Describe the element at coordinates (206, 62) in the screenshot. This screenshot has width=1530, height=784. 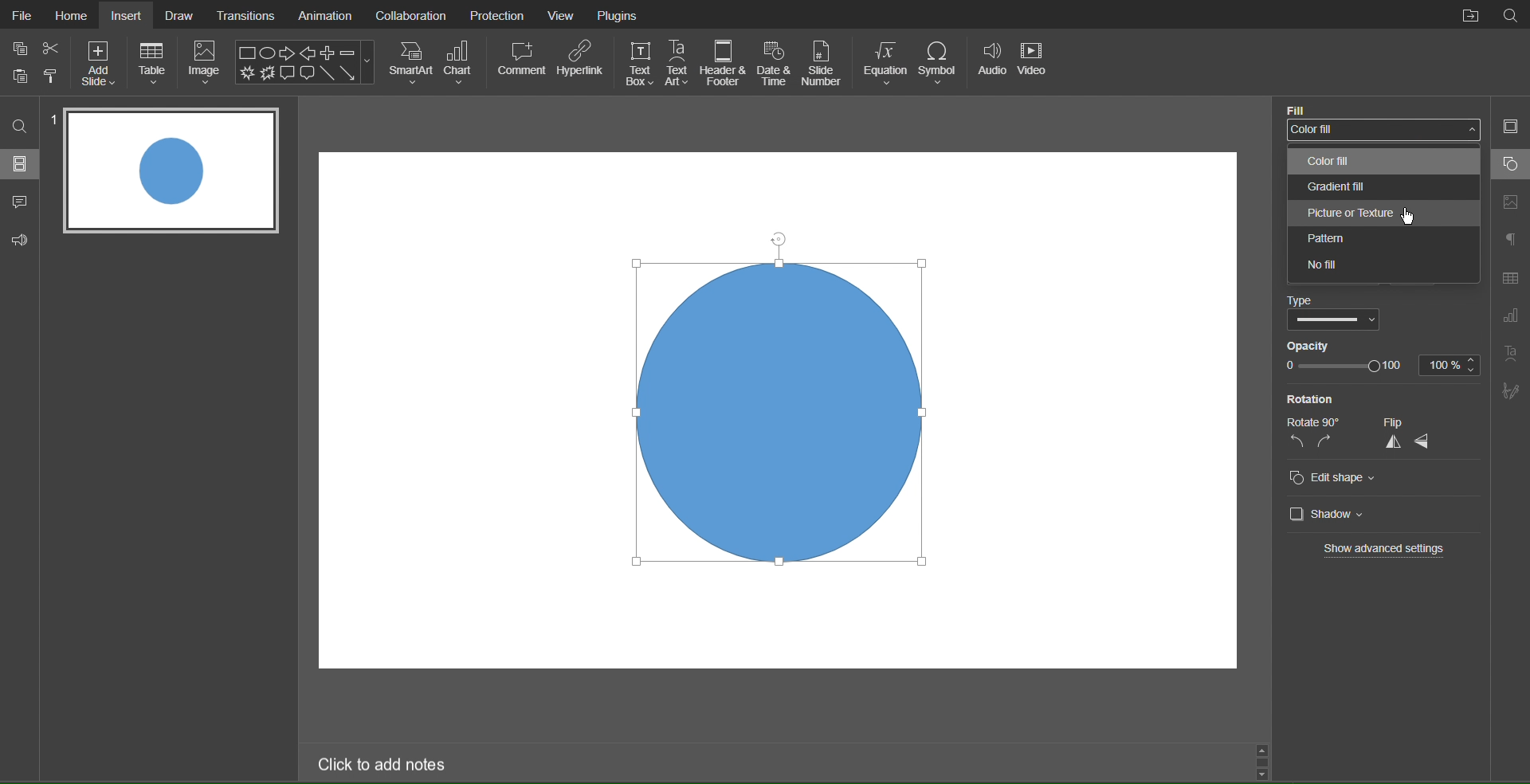
I see `Image` at that location.